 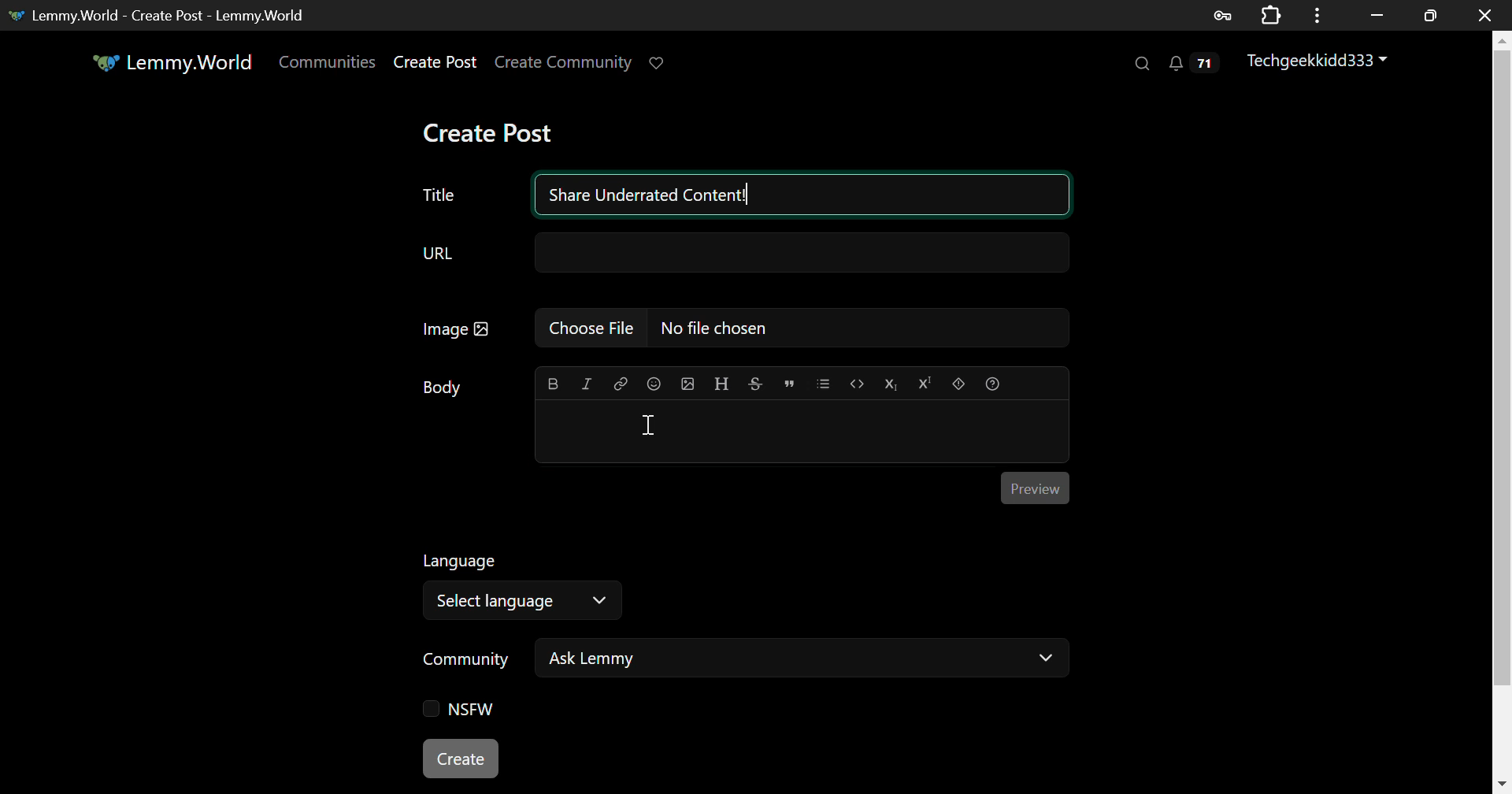 What do you see at coordinates (461, 756) in the screenshot?
I see `Create Post` at bounding box center [461, 756].